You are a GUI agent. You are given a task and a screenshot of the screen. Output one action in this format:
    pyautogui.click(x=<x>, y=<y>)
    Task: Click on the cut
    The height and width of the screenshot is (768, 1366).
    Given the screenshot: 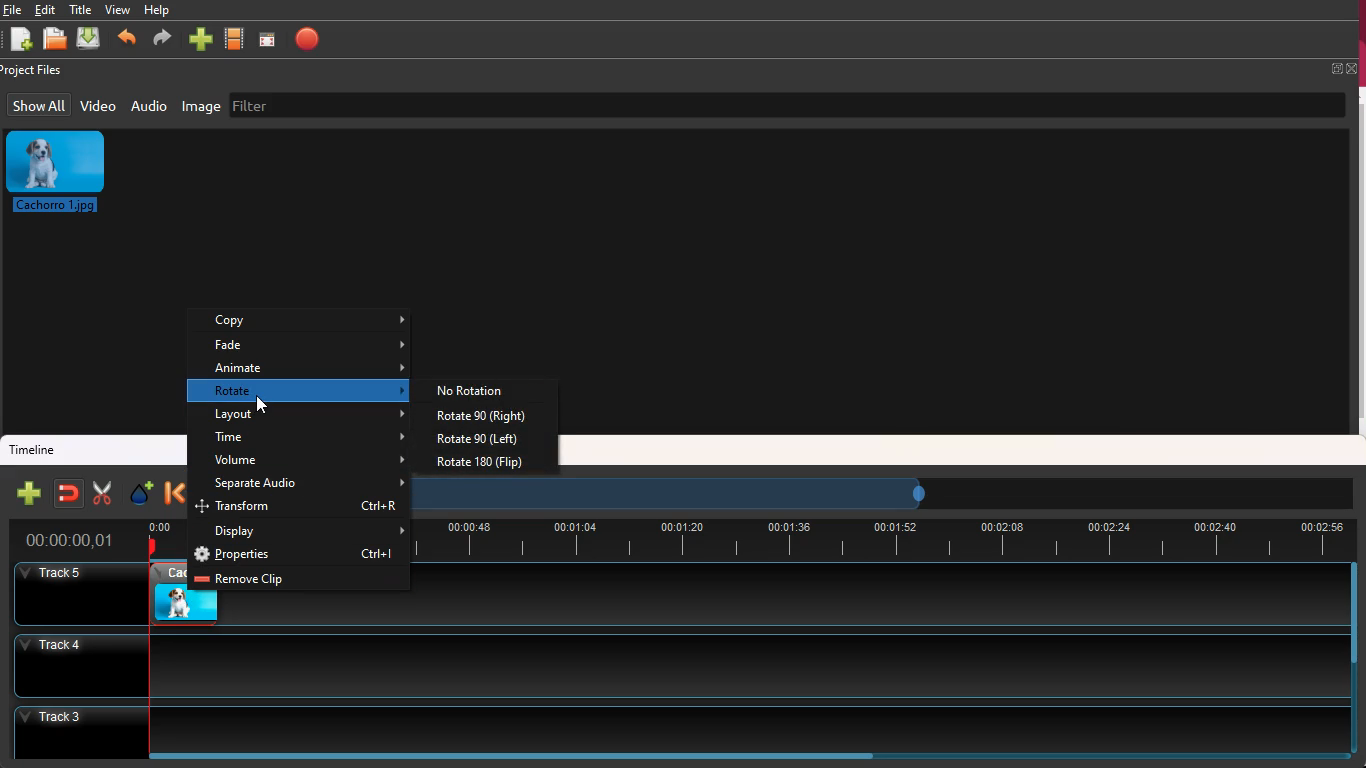 What is the action you would take?
    pyautogui.click(x=102, y=493)
    